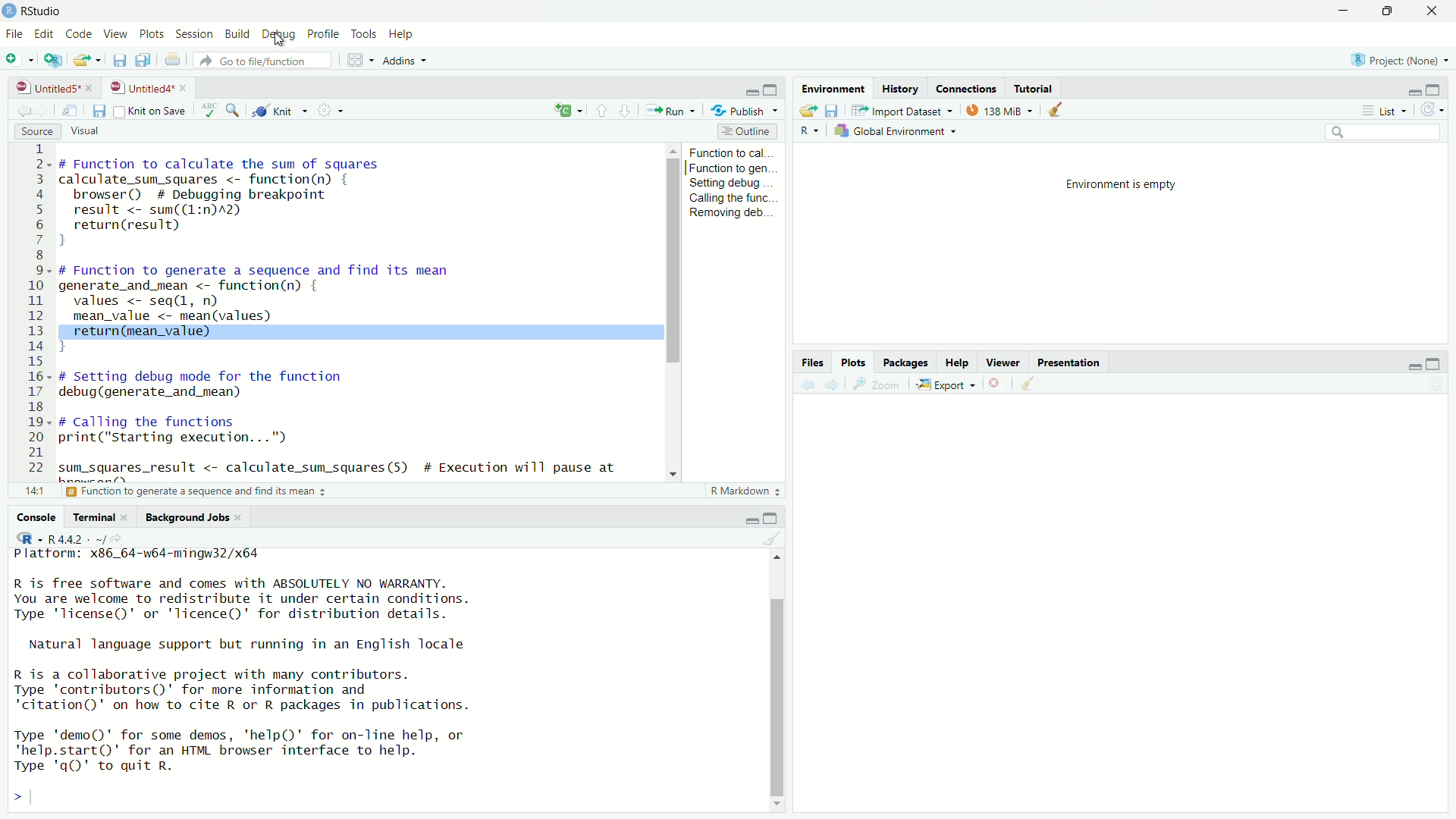 Image resolution: width=1456 pixels, height=819 pixels. What do you see at coordinates (1345, 10) in the screenshot?
I see `minimize` at bounding box center [1345, 10].